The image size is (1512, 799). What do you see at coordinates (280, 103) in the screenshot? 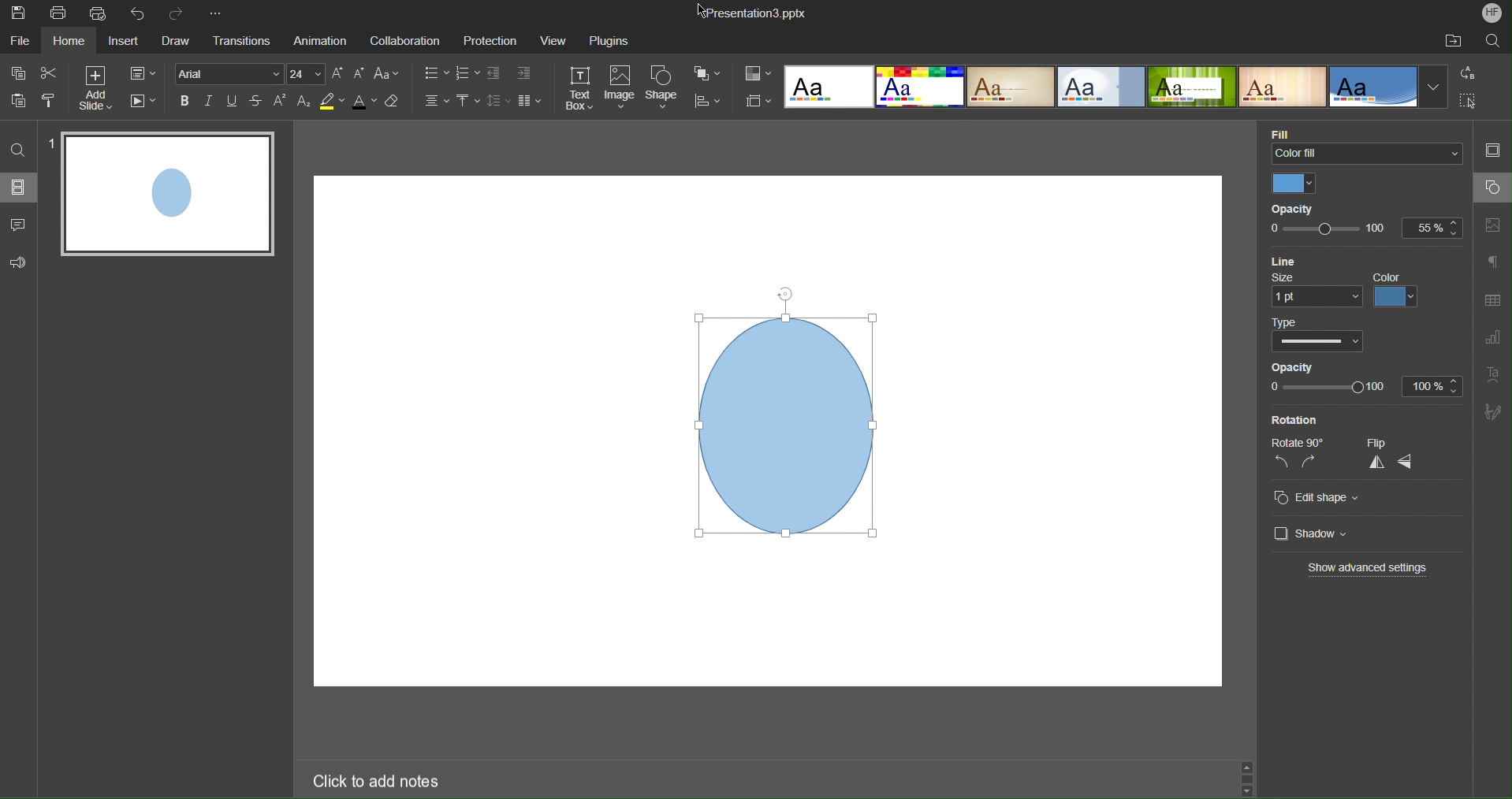
I see `Superscript` at bounding box center [280, 103].